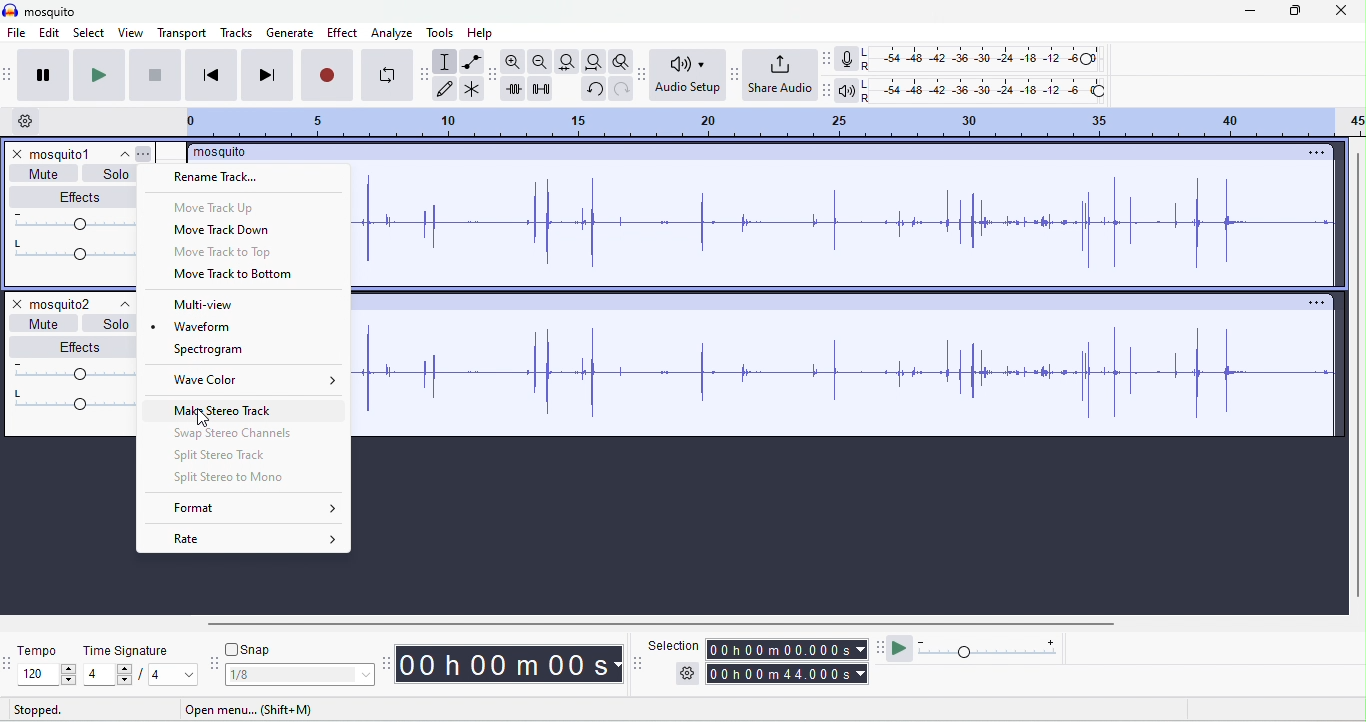  Describe the element at coordinates (44, 77) in the screenshot. I see `pause` at that location.